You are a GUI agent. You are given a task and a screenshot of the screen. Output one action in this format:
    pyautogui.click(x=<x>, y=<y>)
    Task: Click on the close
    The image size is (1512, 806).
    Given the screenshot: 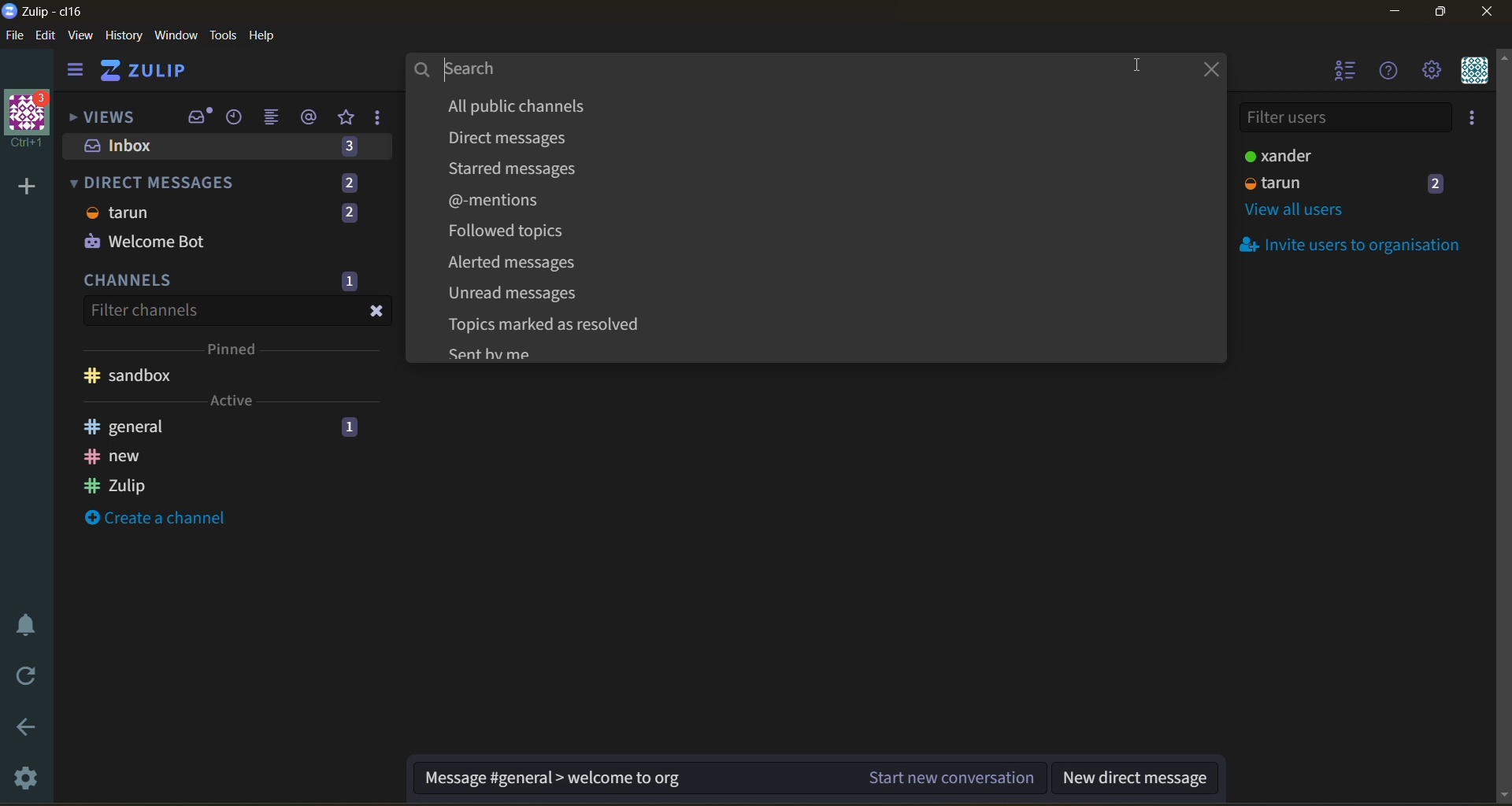 What is the action you would take?
    pyautogui.click(x=1212, y=69)
    